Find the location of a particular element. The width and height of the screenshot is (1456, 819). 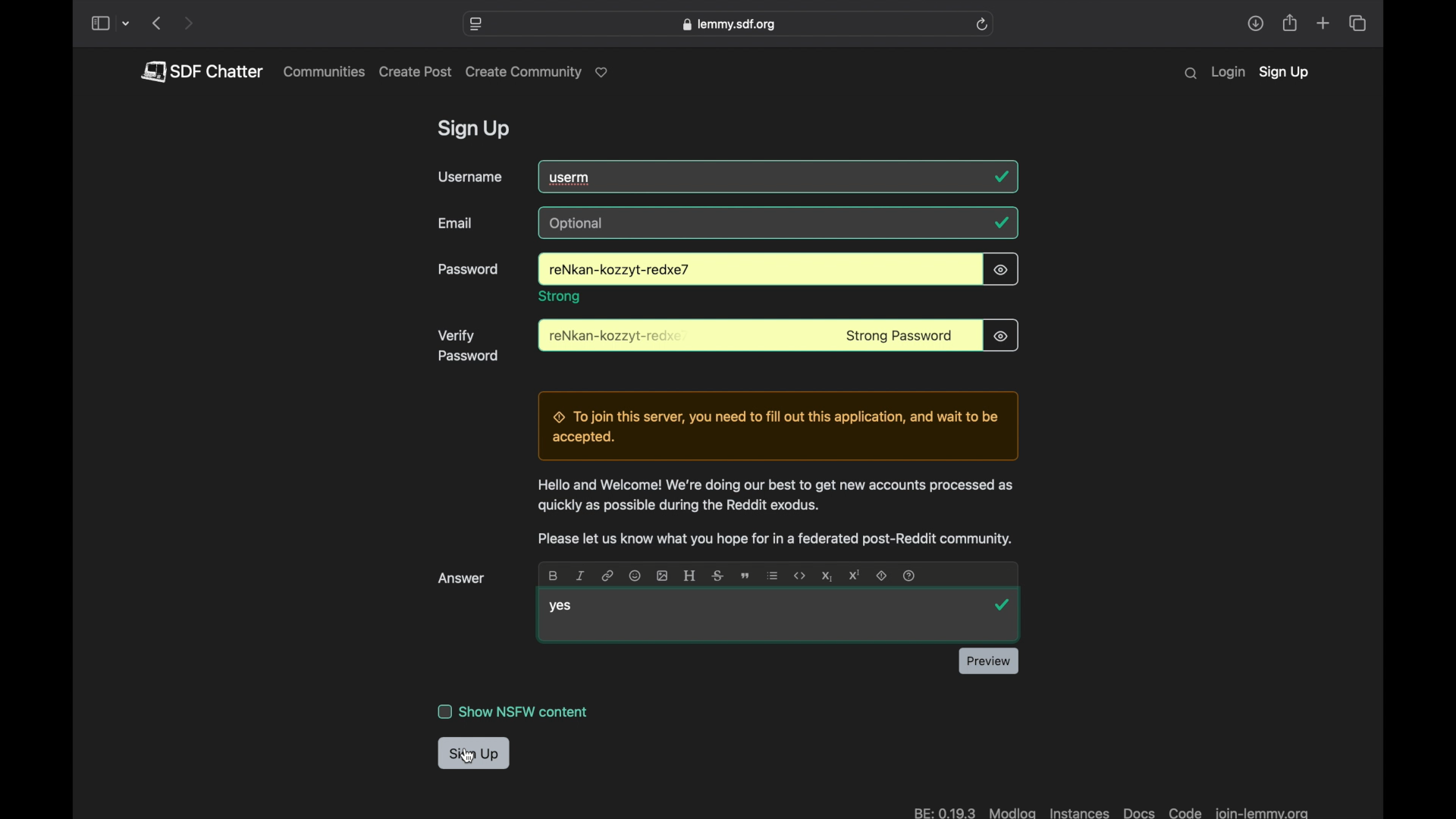

reddit posting notification is located at coordinates (774, 540).